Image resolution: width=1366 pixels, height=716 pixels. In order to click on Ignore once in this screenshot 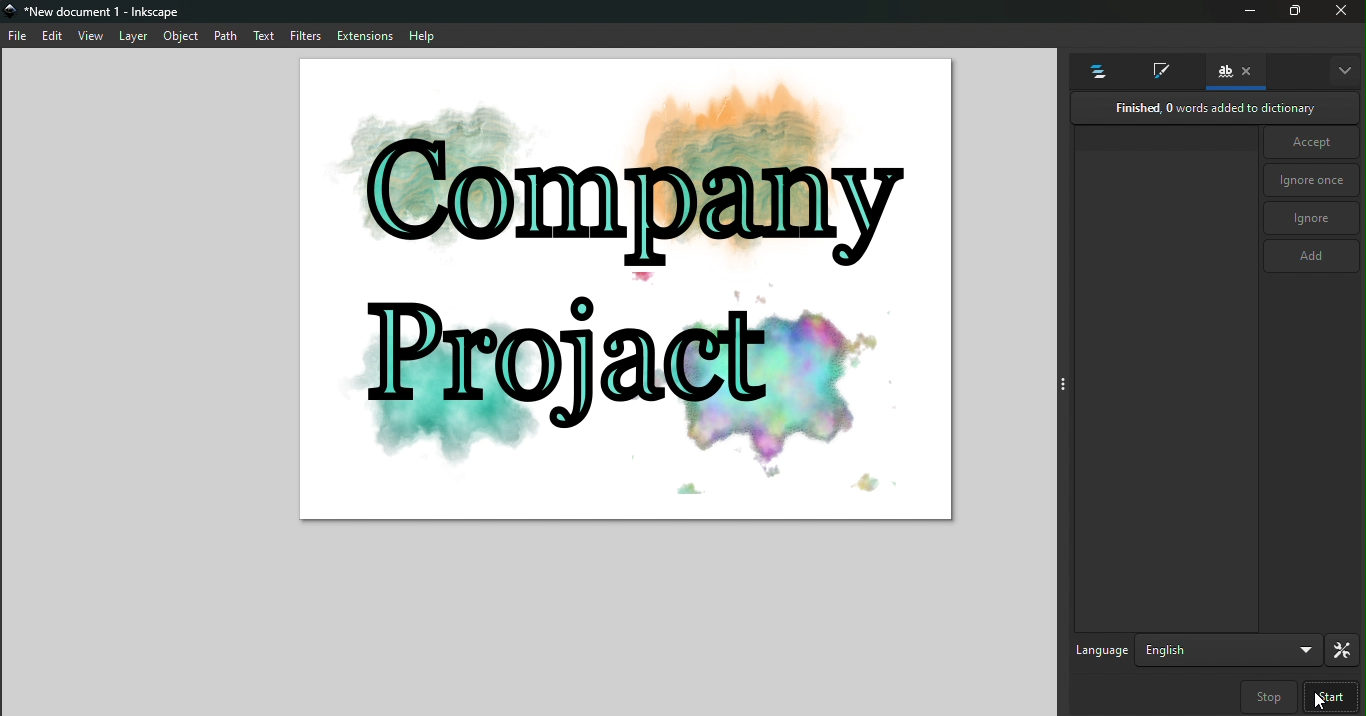, I will do `click(1309, 178)`.